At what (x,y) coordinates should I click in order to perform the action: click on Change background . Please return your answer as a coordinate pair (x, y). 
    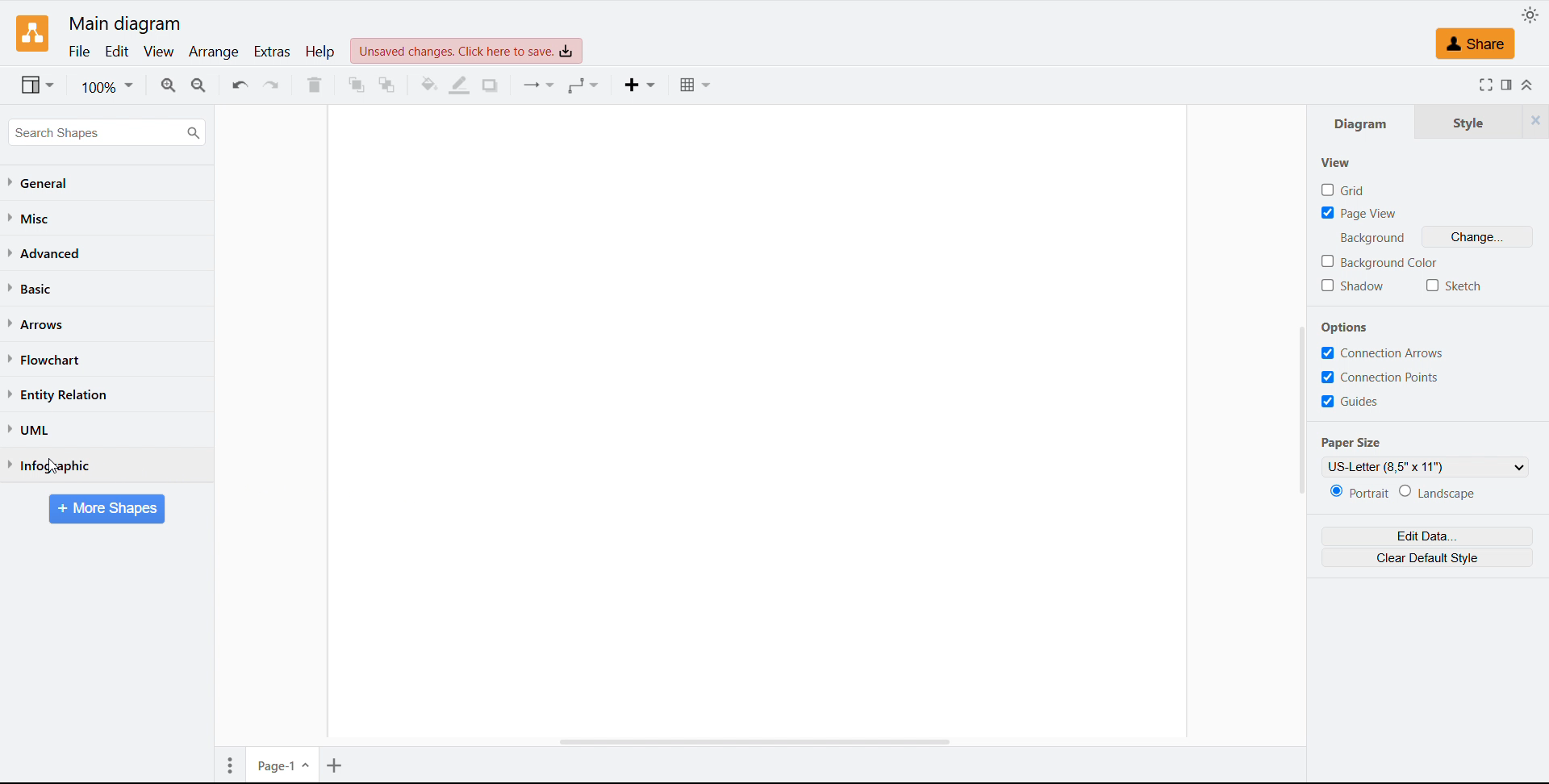
    Looking at the image, I should click on (1476, 236).